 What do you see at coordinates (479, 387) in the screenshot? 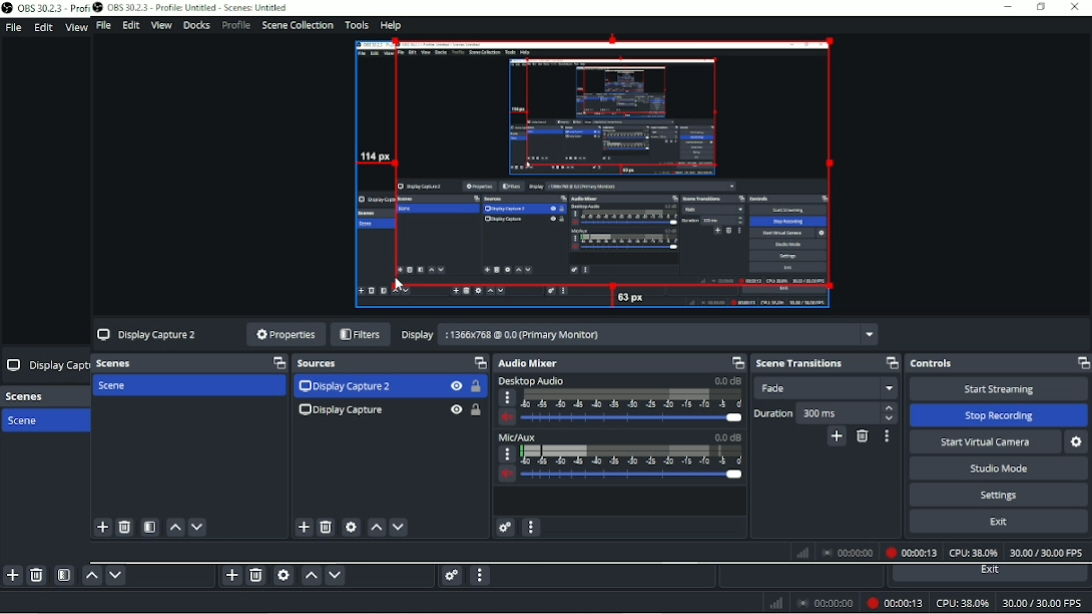
I see `Lock` at bounding box center [479, 387].